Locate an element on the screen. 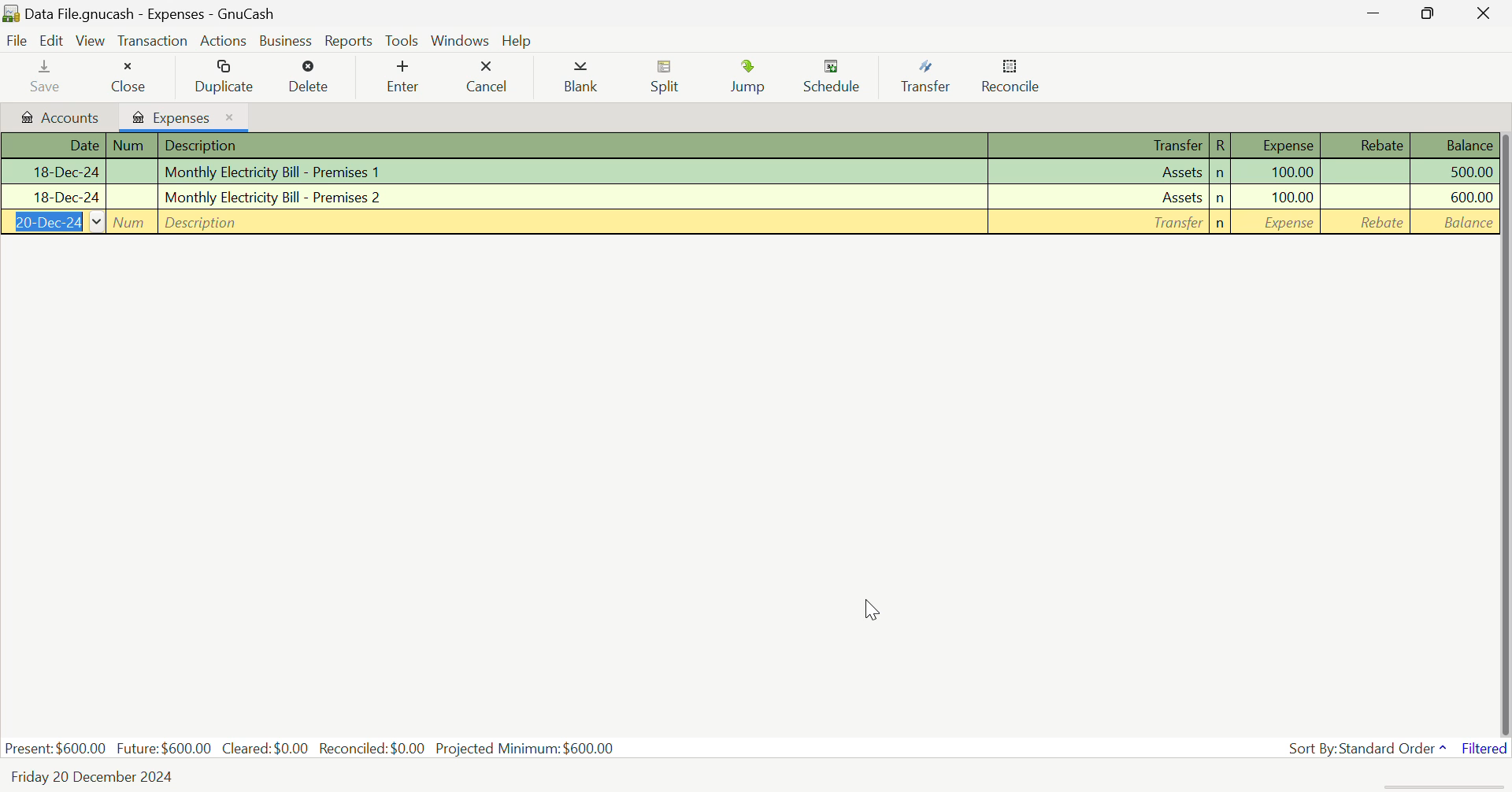 Image resolution: width=1512 pixels, height=792 pixels. Assets is located at coordinates (1097, 221).